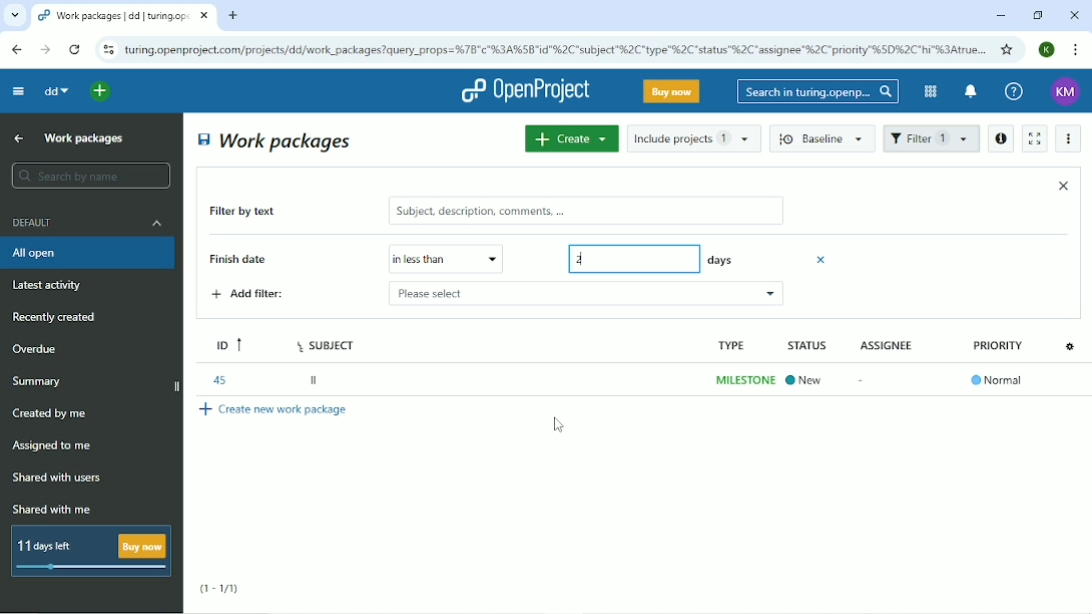 The image size is (1092, 614). I want to click on Filter by text, so click(257, 213).